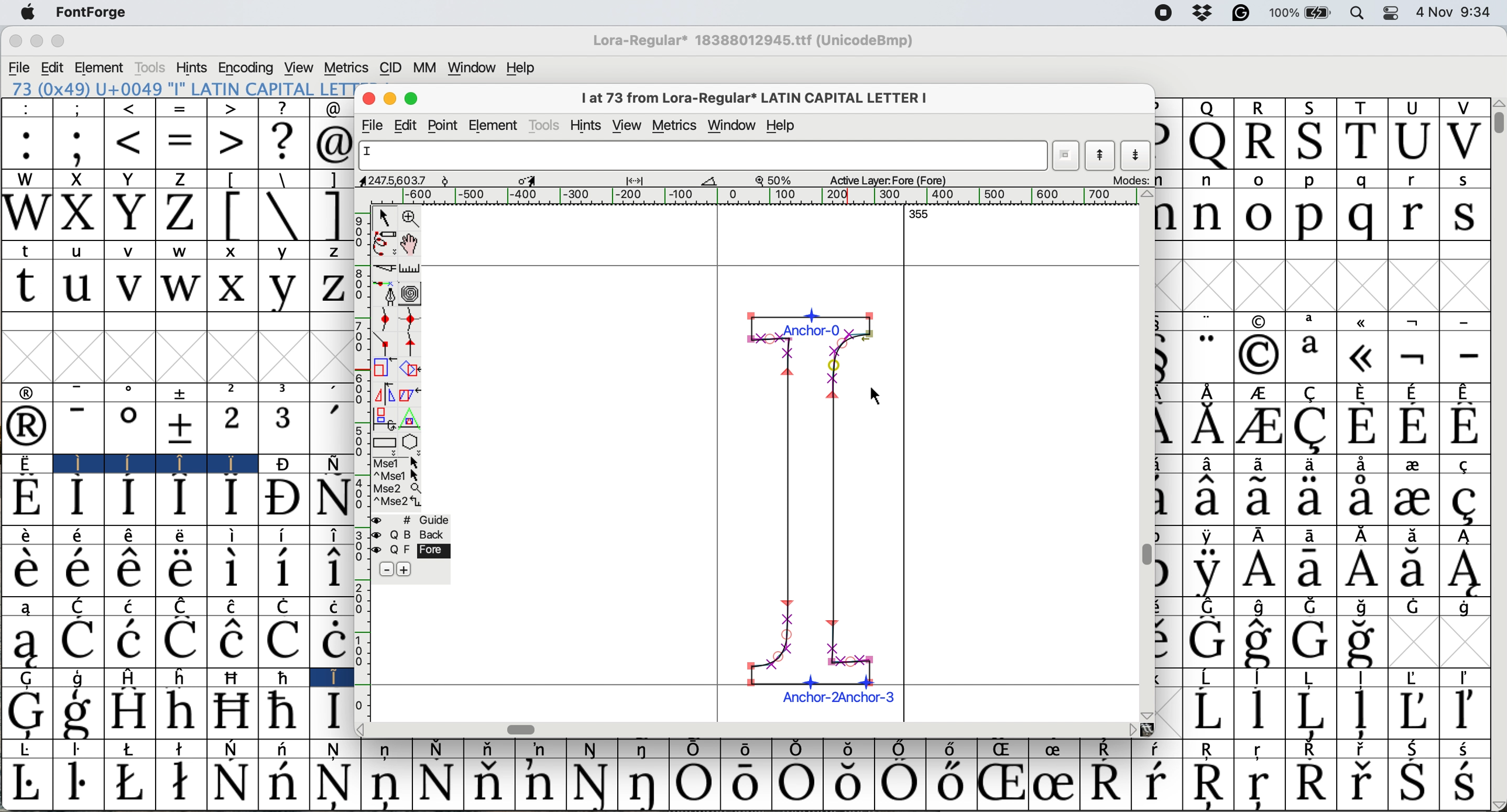 The width and height of the screenshot is (1507, 812). Describe the element at coordinates (643, 751) in the screenshot. I see `Symbol` at that location.